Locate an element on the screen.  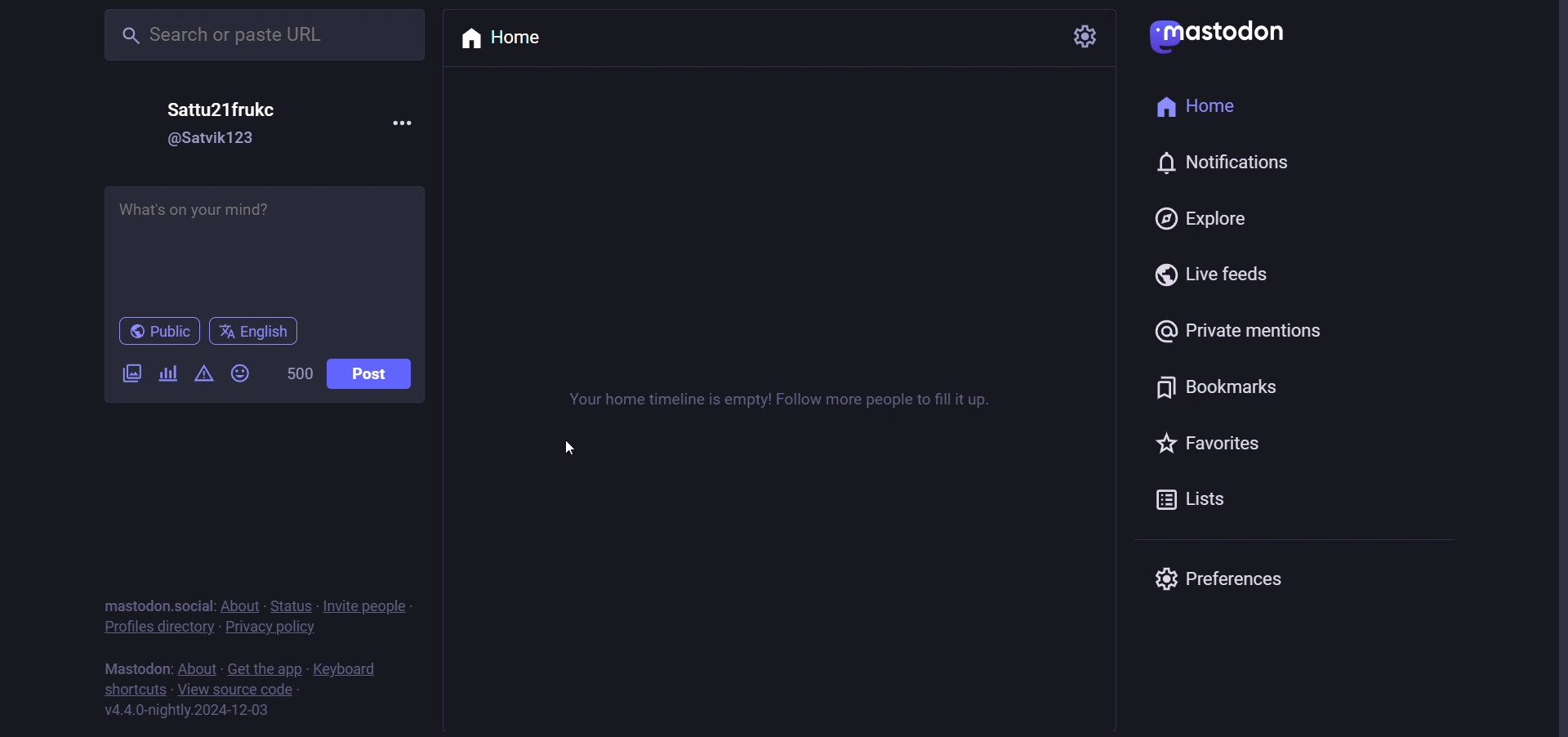
write here is located at coordinates (265, 243).